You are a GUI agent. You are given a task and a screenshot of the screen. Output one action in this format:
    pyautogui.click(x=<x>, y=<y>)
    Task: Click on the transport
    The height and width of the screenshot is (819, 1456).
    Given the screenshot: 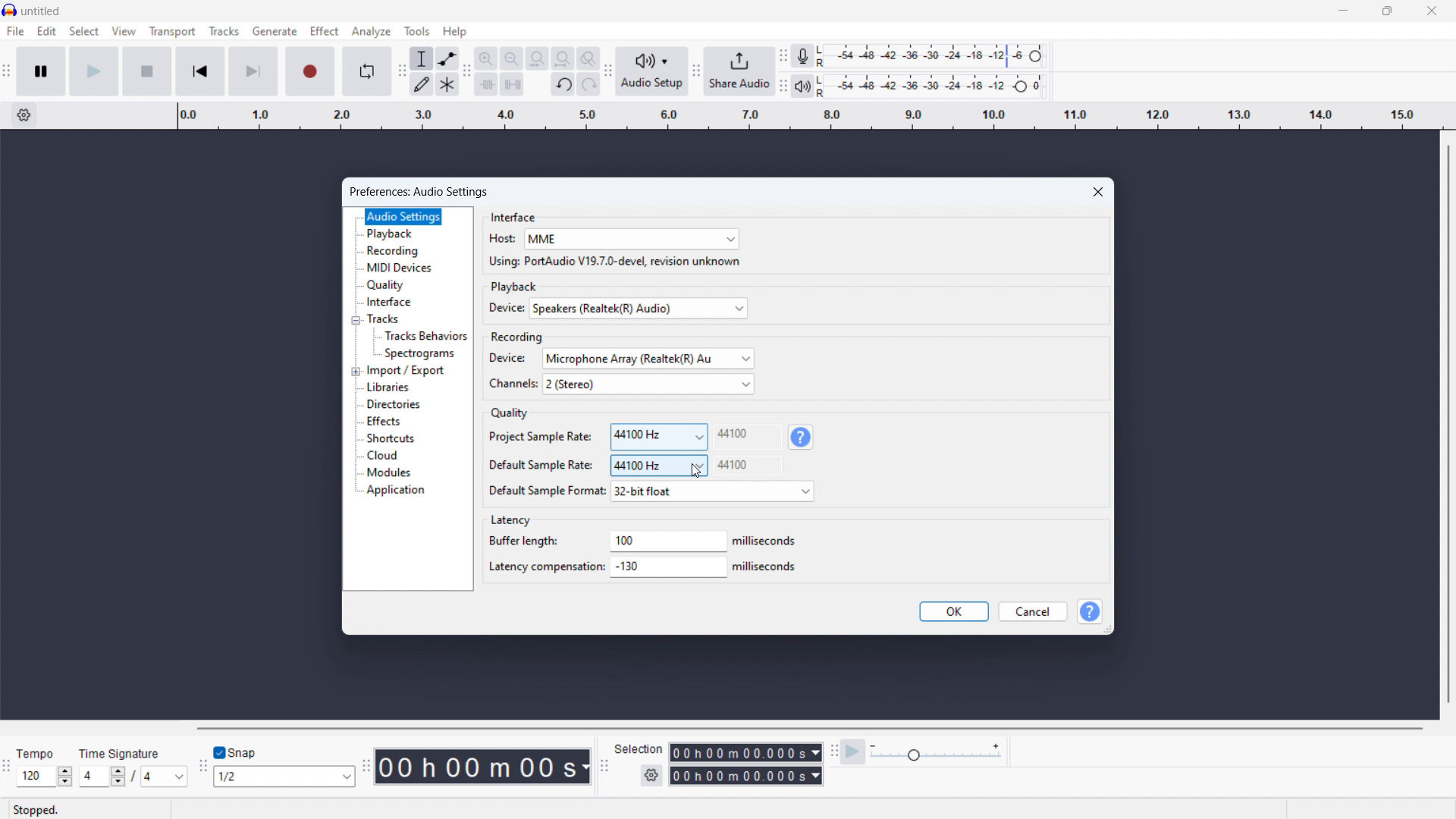 What is the action you would take?
    pyautogui.click(x=173, y=32)
    